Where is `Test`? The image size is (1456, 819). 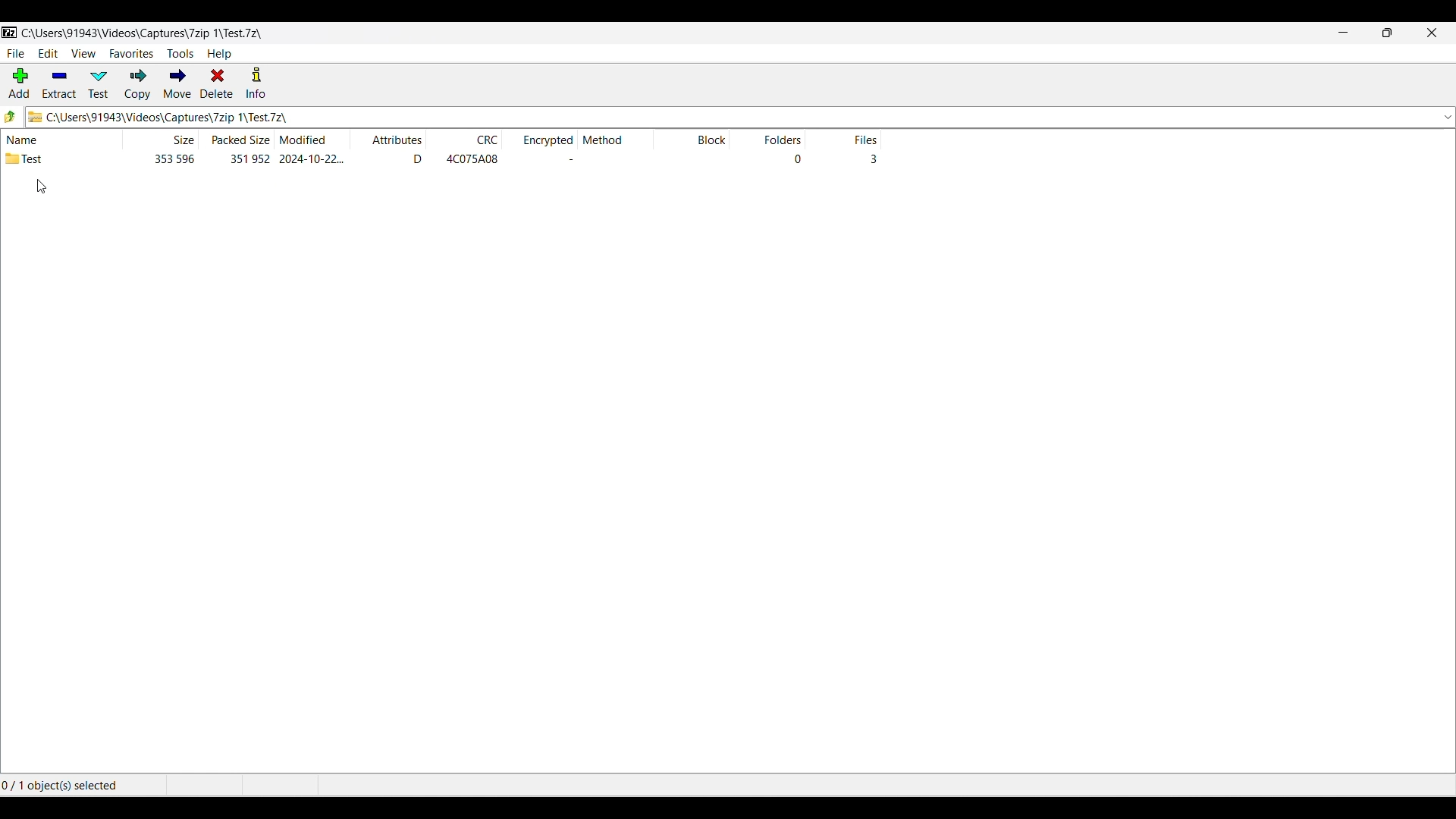 Test is located at coordinates (99, 84).